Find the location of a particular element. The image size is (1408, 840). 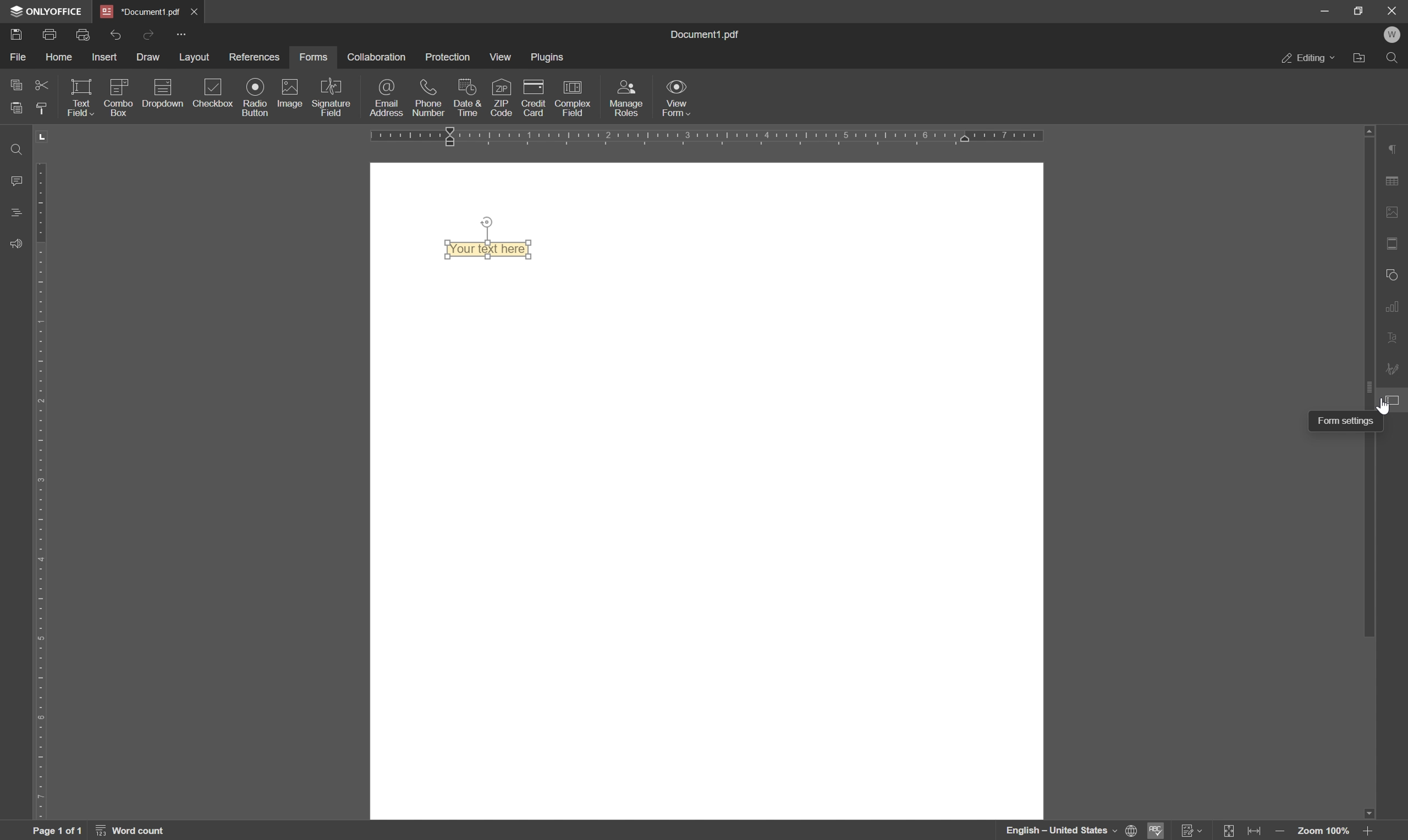

paste is located at coordinates (17, 107).